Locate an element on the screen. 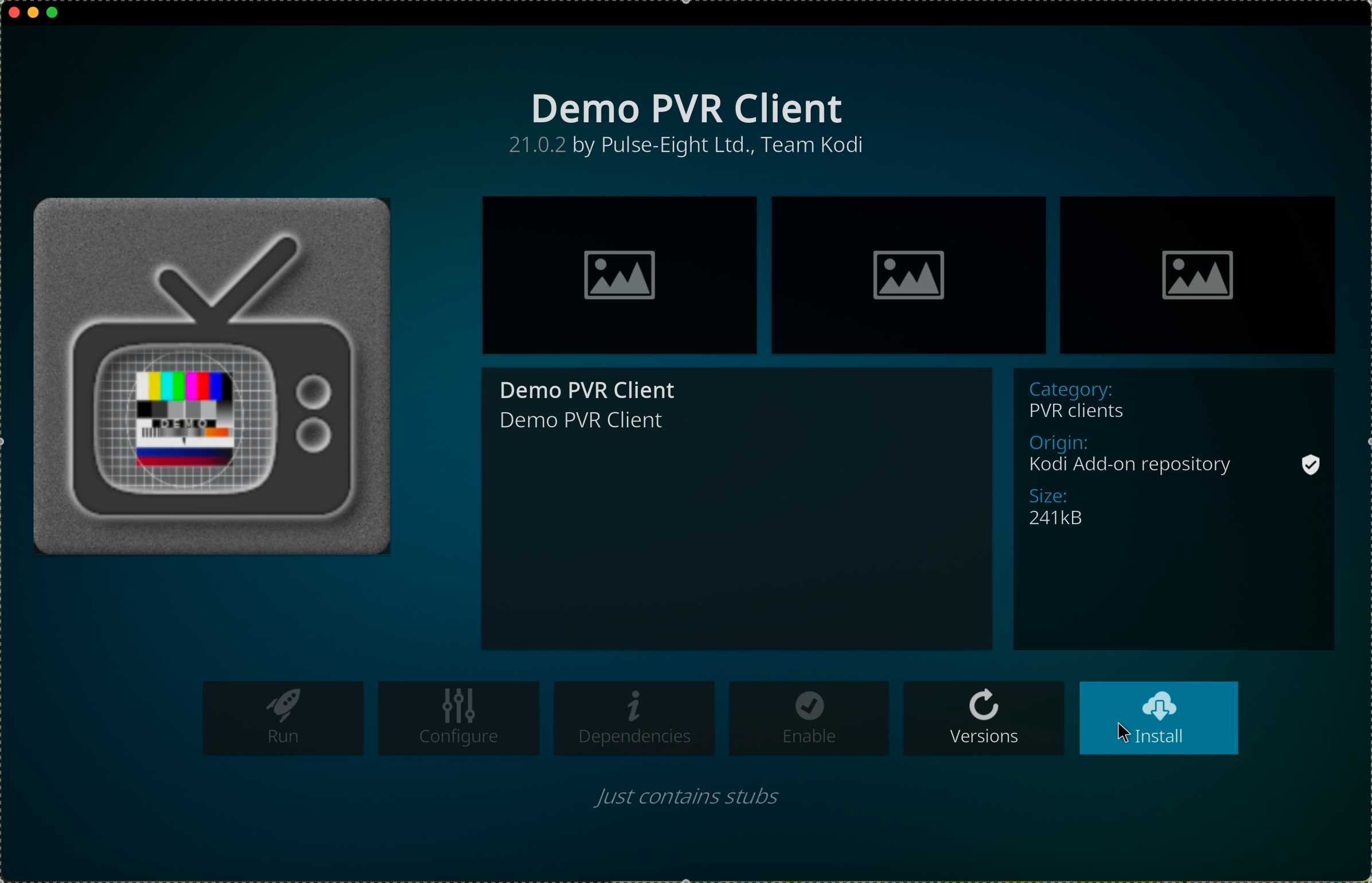 This screenshot has height=883, width=1372. Demo PVR client window is located at coordinates (739, 510).